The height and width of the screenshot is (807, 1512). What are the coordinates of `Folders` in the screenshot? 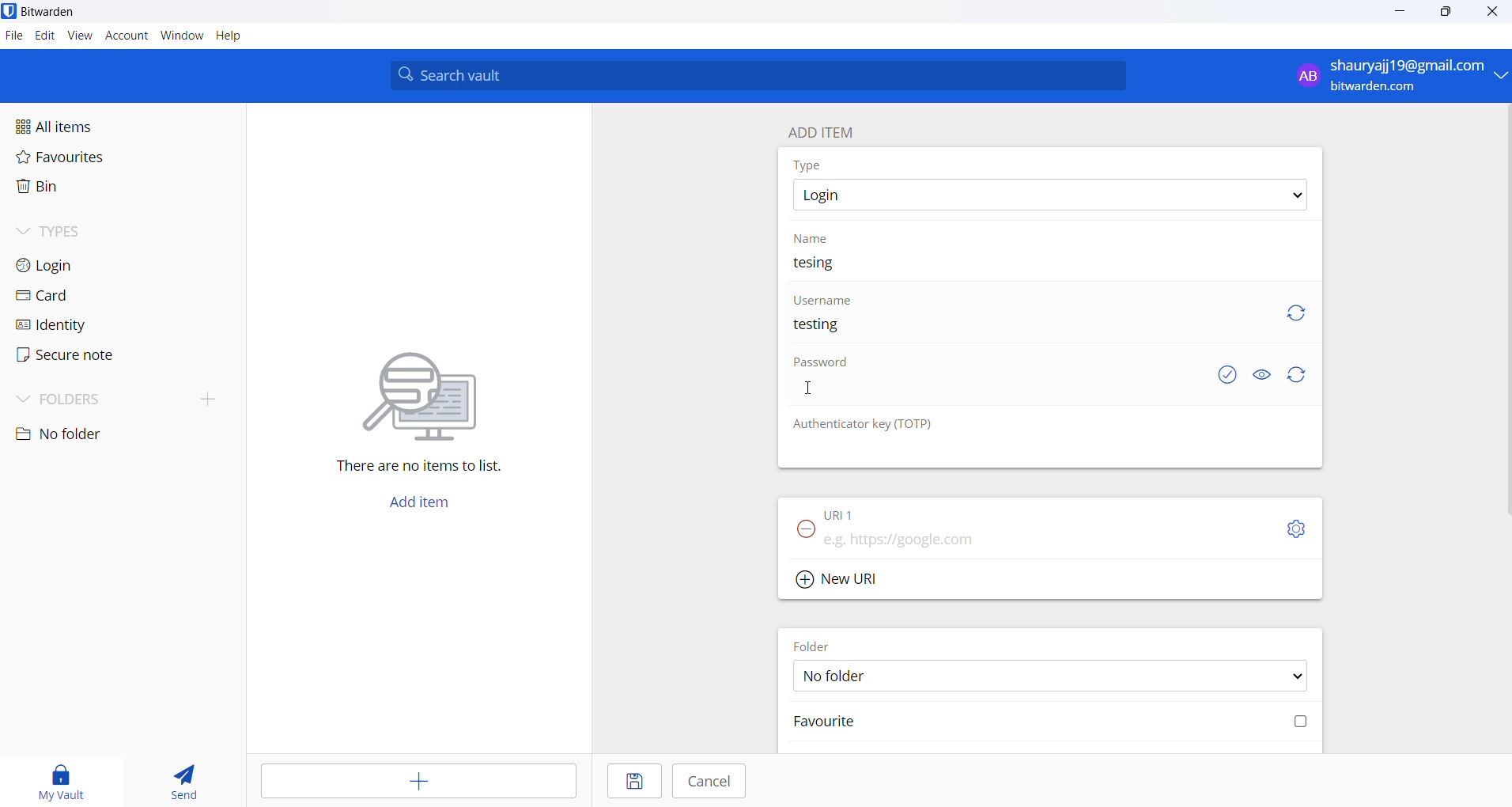 It's located at (81, 396).